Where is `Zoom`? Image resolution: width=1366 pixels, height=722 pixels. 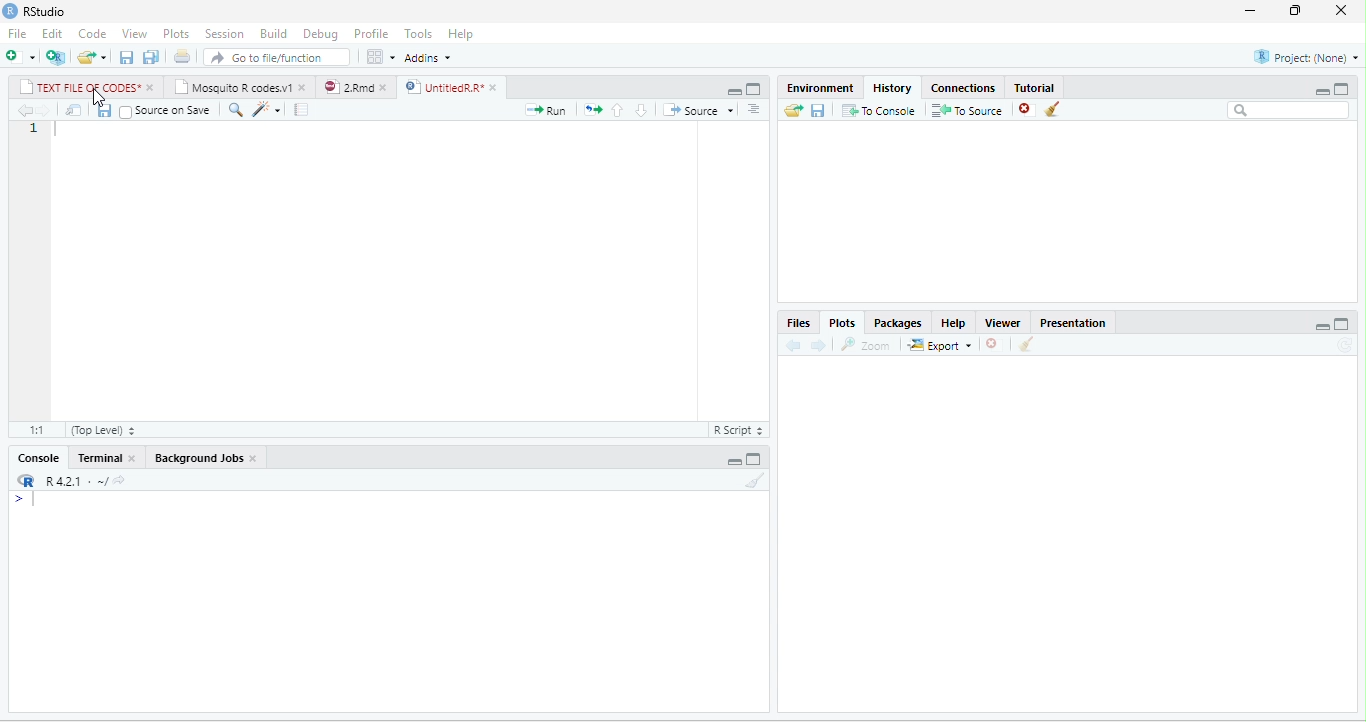
Zoom is located at coordinates (866, 345).